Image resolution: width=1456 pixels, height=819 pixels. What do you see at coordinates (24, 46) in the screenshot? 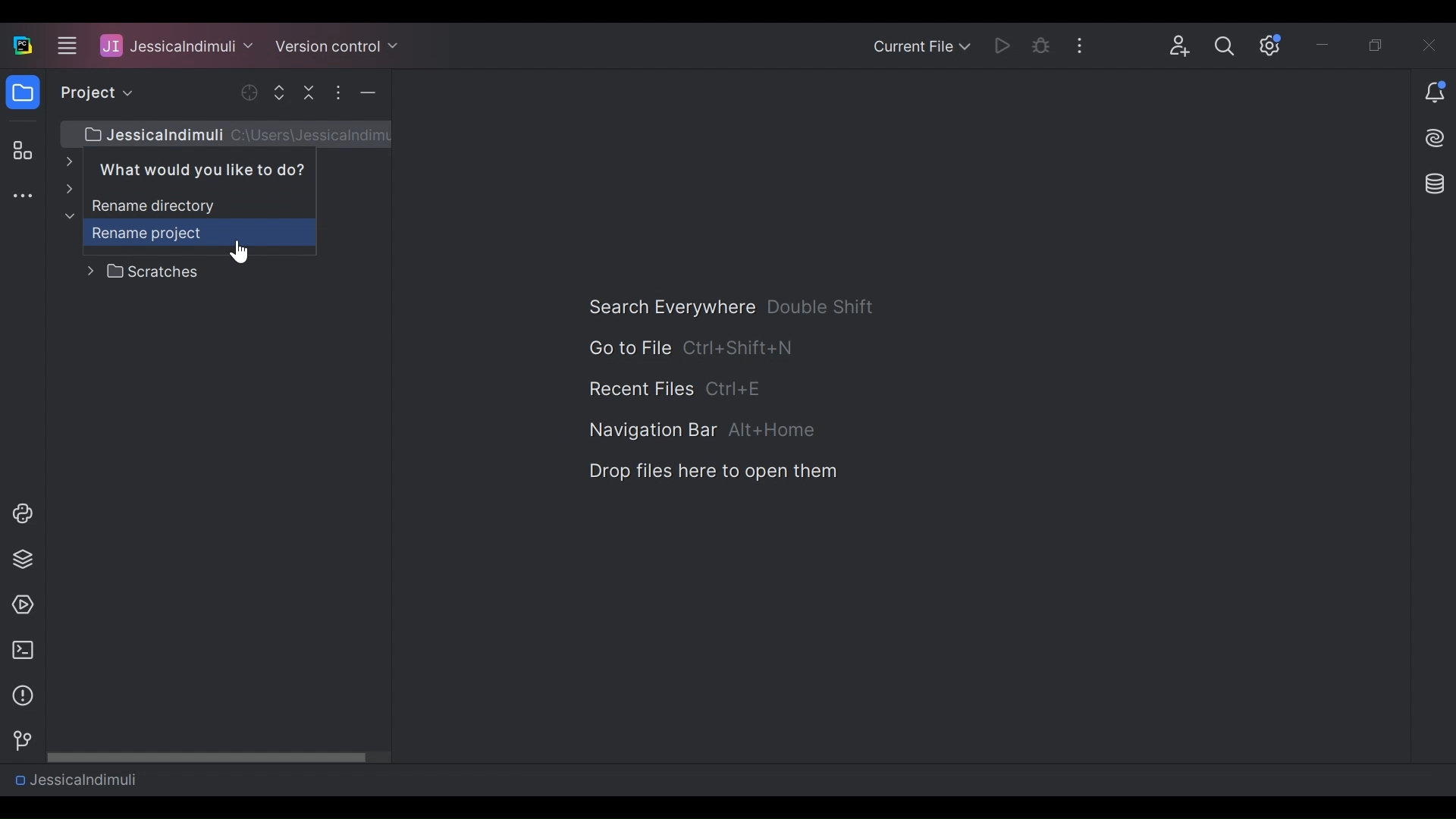
I see `PyCharm Desktop Icon` at bounding box center [24, 46].